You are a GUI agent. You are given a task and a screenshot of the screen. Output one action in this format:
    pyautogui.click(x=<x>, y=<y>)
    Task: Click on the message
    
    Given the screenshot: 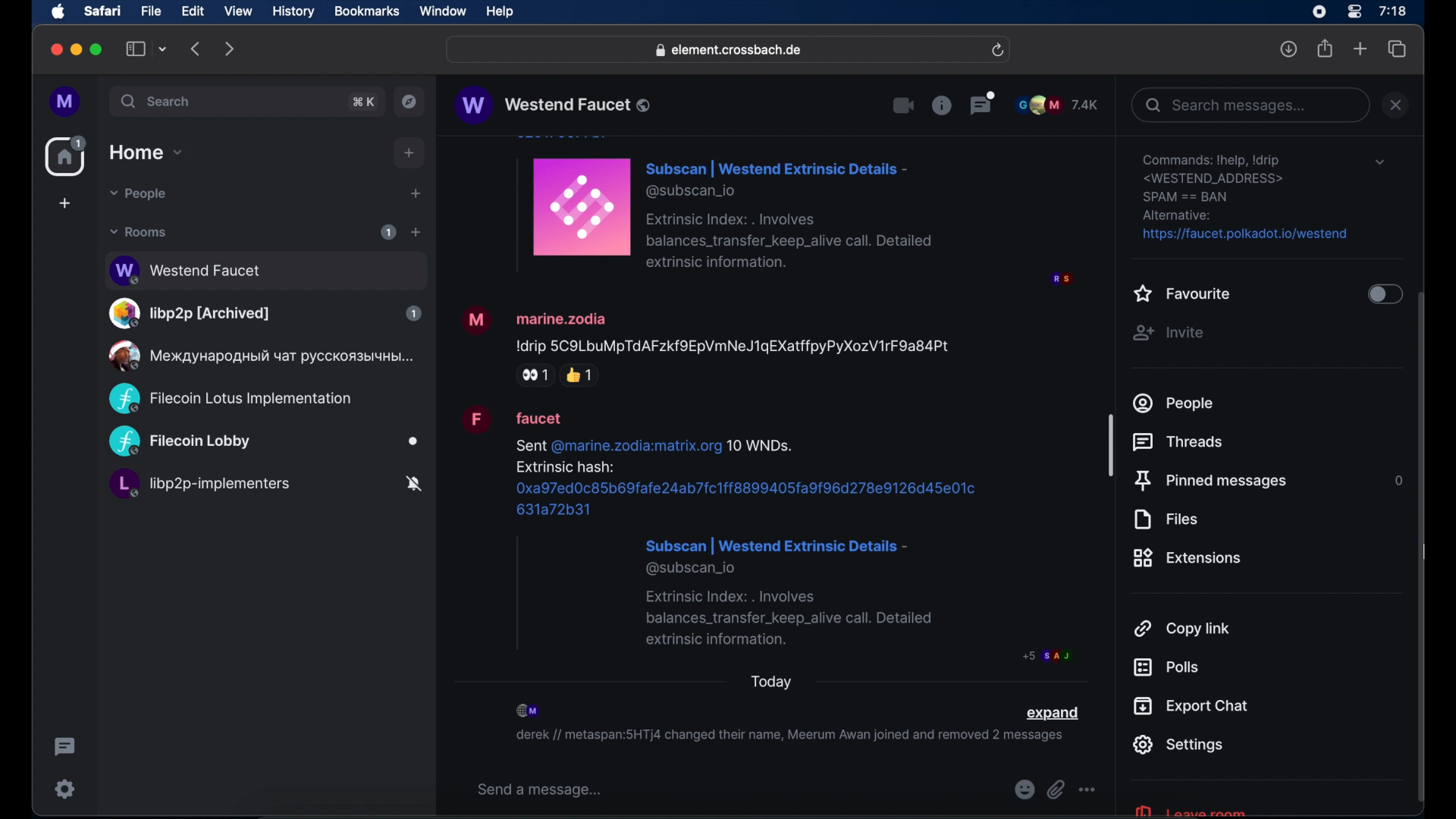 What is the action you would take?
    pyautogui.click(x=707, y=344)
    